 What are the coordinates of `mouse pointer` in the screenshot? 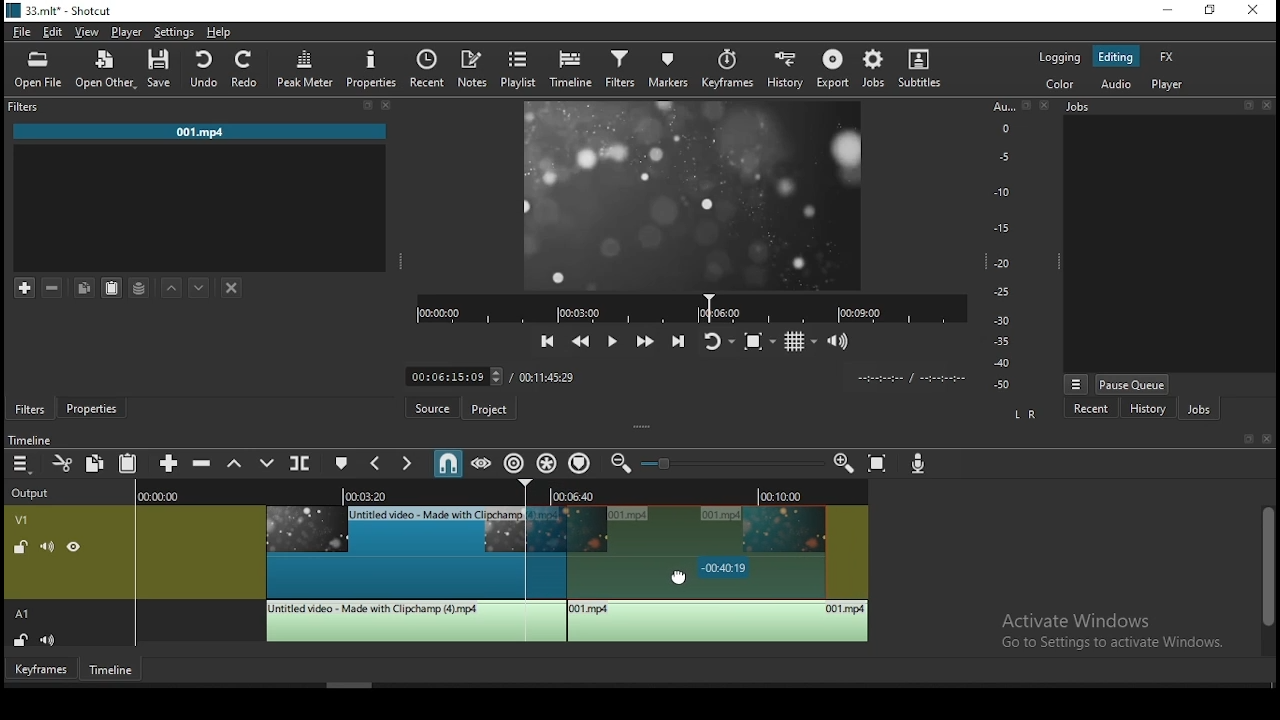 It's located at (684, 575).